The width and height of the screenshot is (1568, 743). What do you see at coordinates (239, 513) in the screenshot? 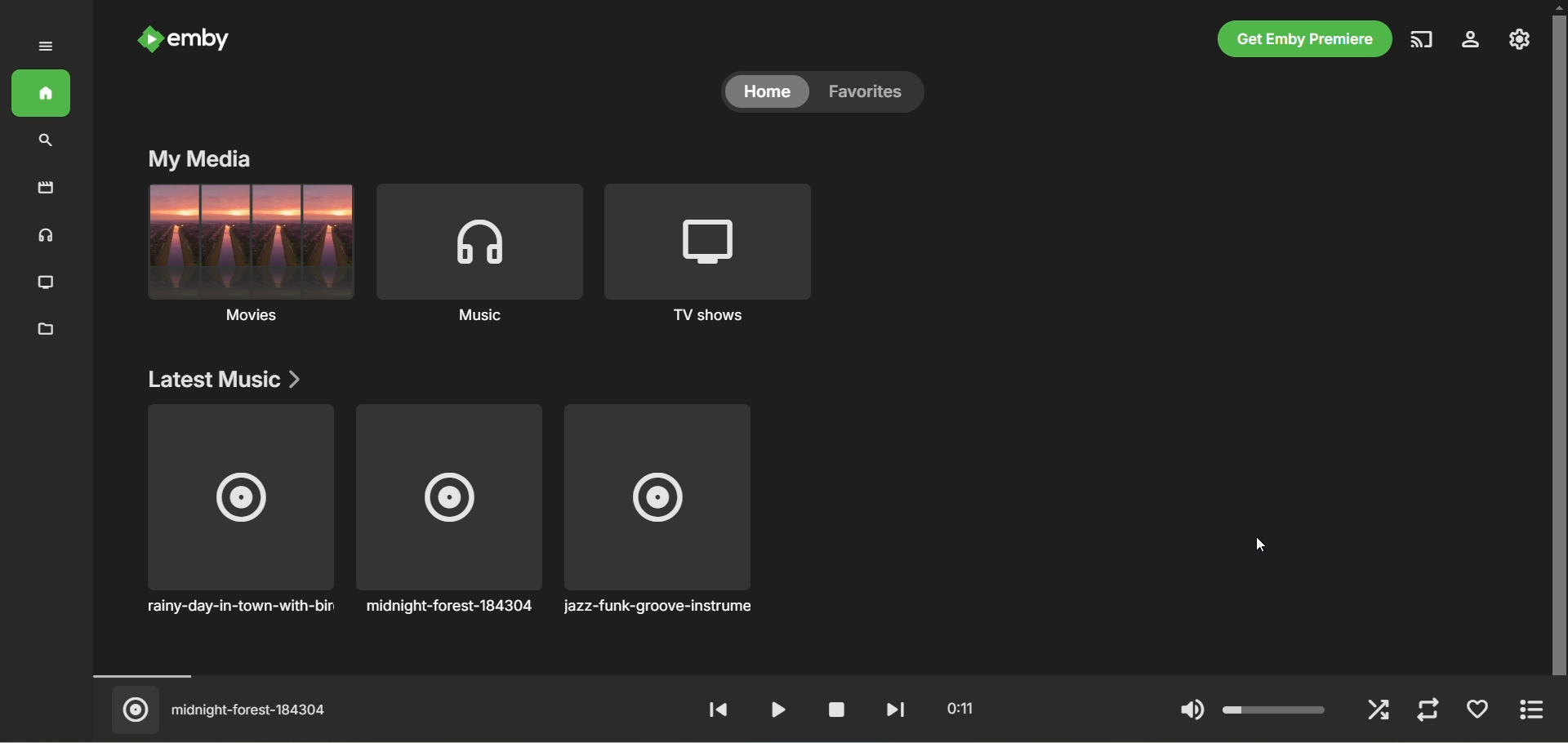
I see `rainy-day-in-town-with-birds singing` at bounding box center [239, 513].